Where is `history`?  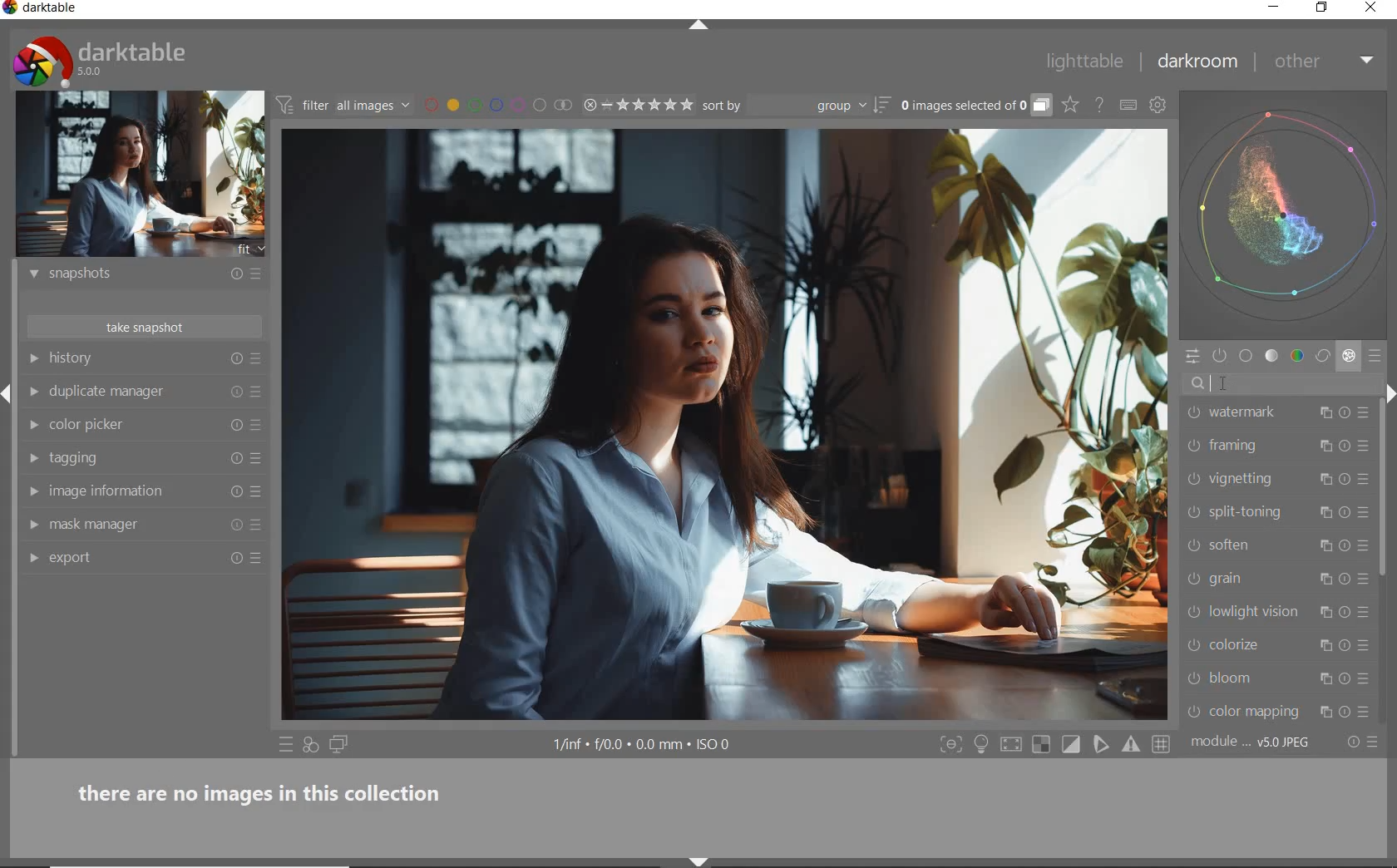
history is located at coordinates (121, 357).